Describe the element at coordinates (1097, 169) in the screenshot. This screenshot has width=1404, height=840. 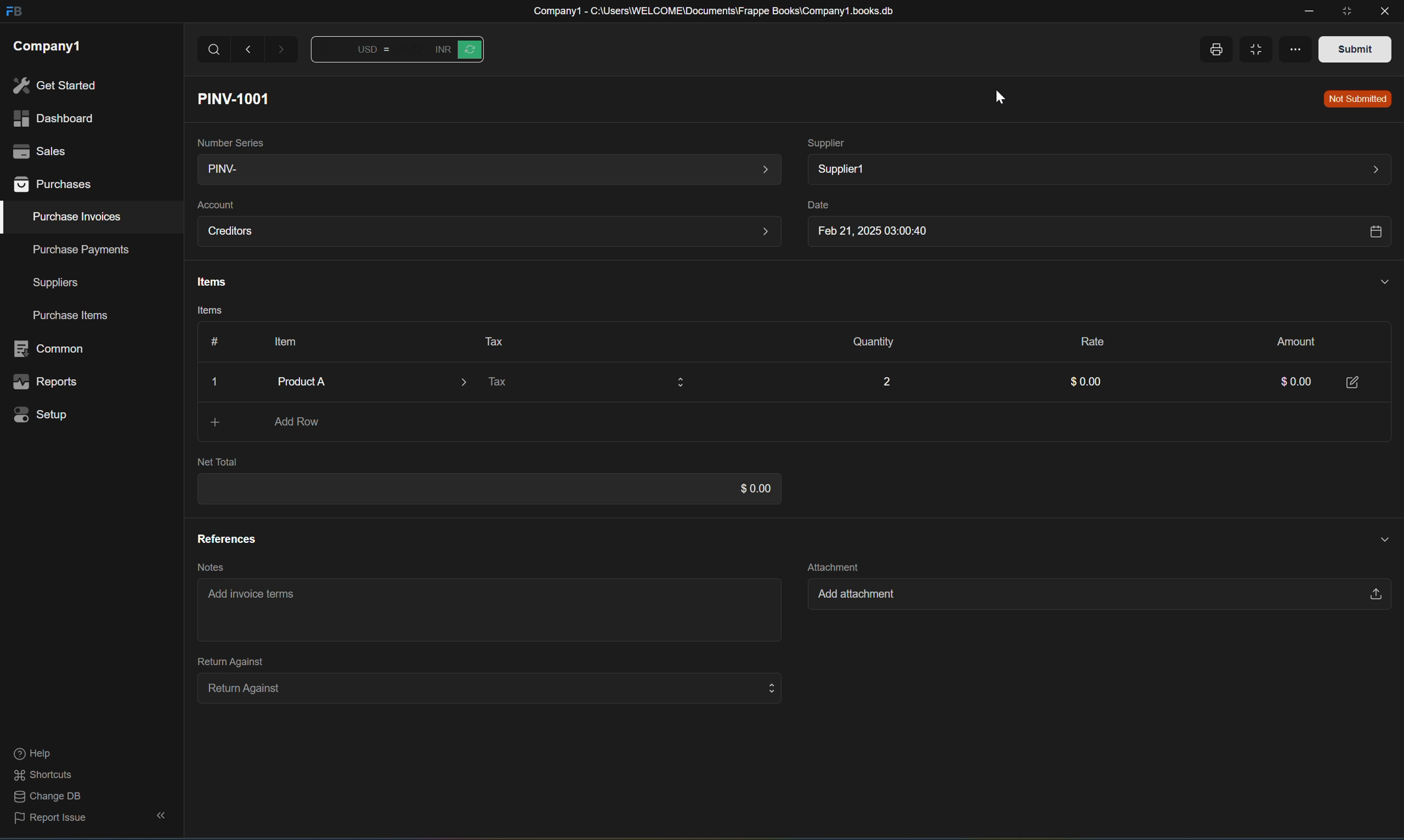
I see `Supplier1` at that location.